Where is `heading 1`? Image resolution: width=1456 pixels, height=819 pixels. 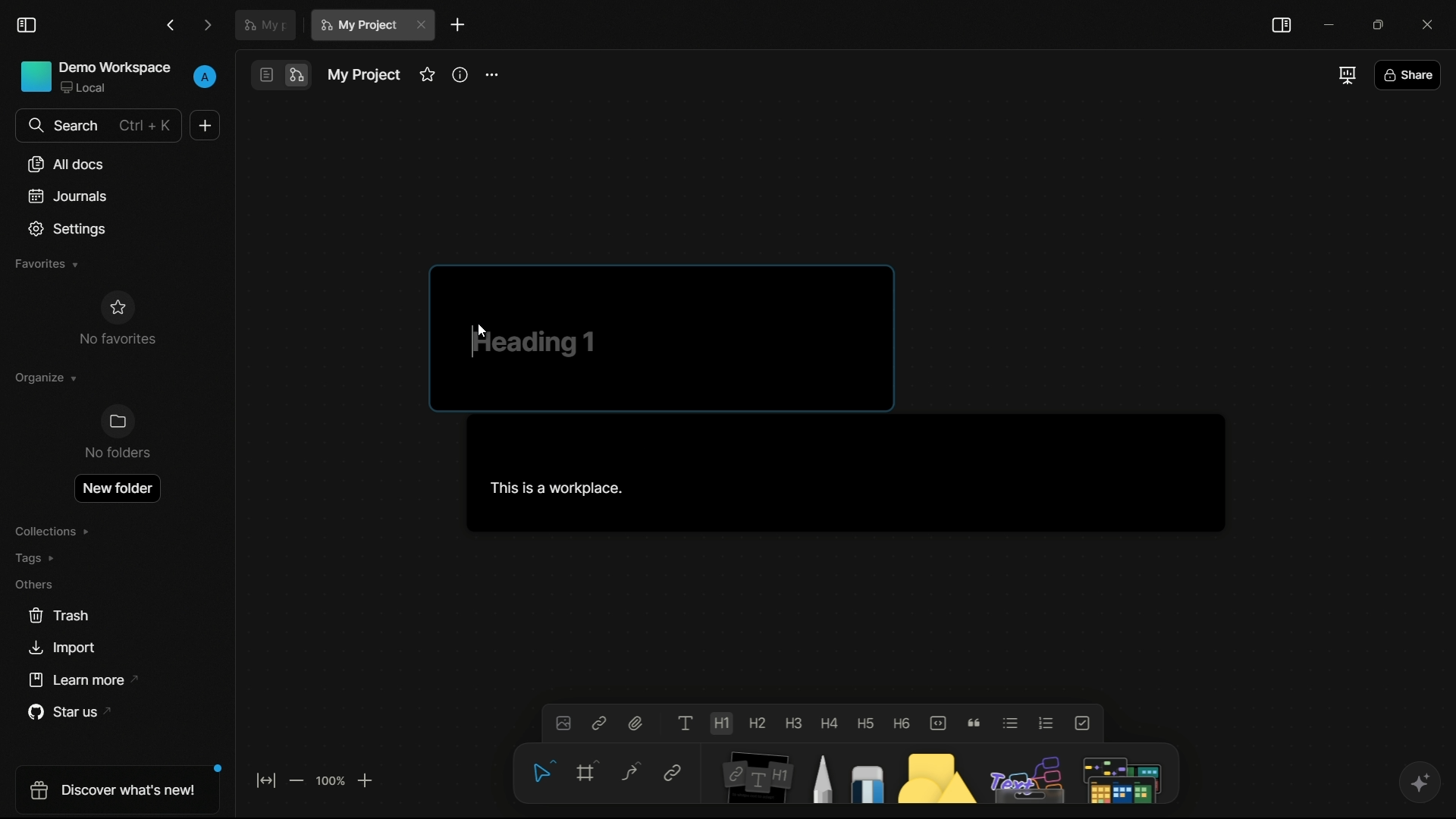 heading 1 is located at coordinates (723, 723).